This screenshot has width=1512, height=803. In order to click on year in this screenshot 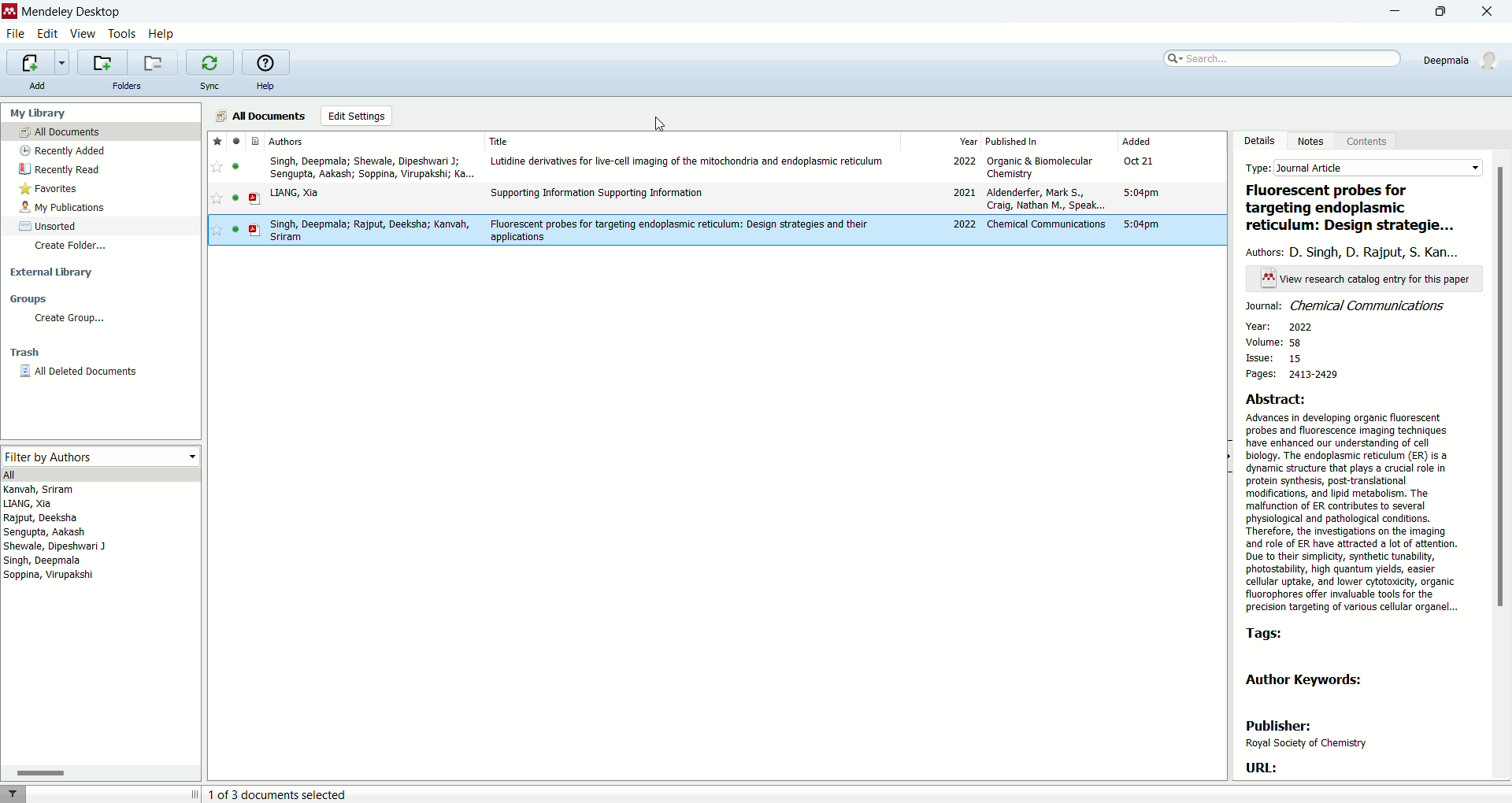, I will do `click(1279, 326)`.